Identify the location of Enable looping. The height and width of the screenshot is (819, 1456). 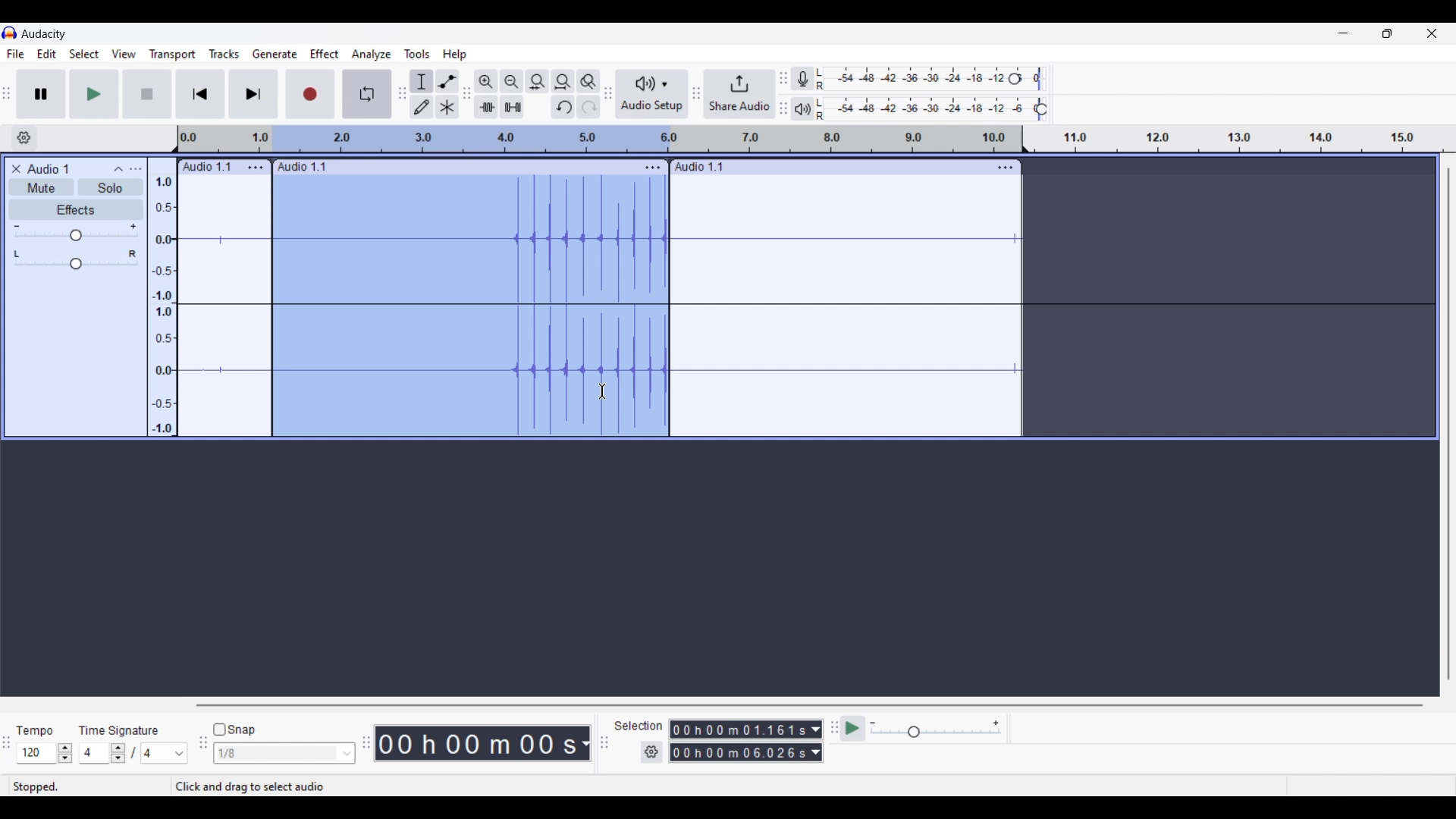
(368, 94).